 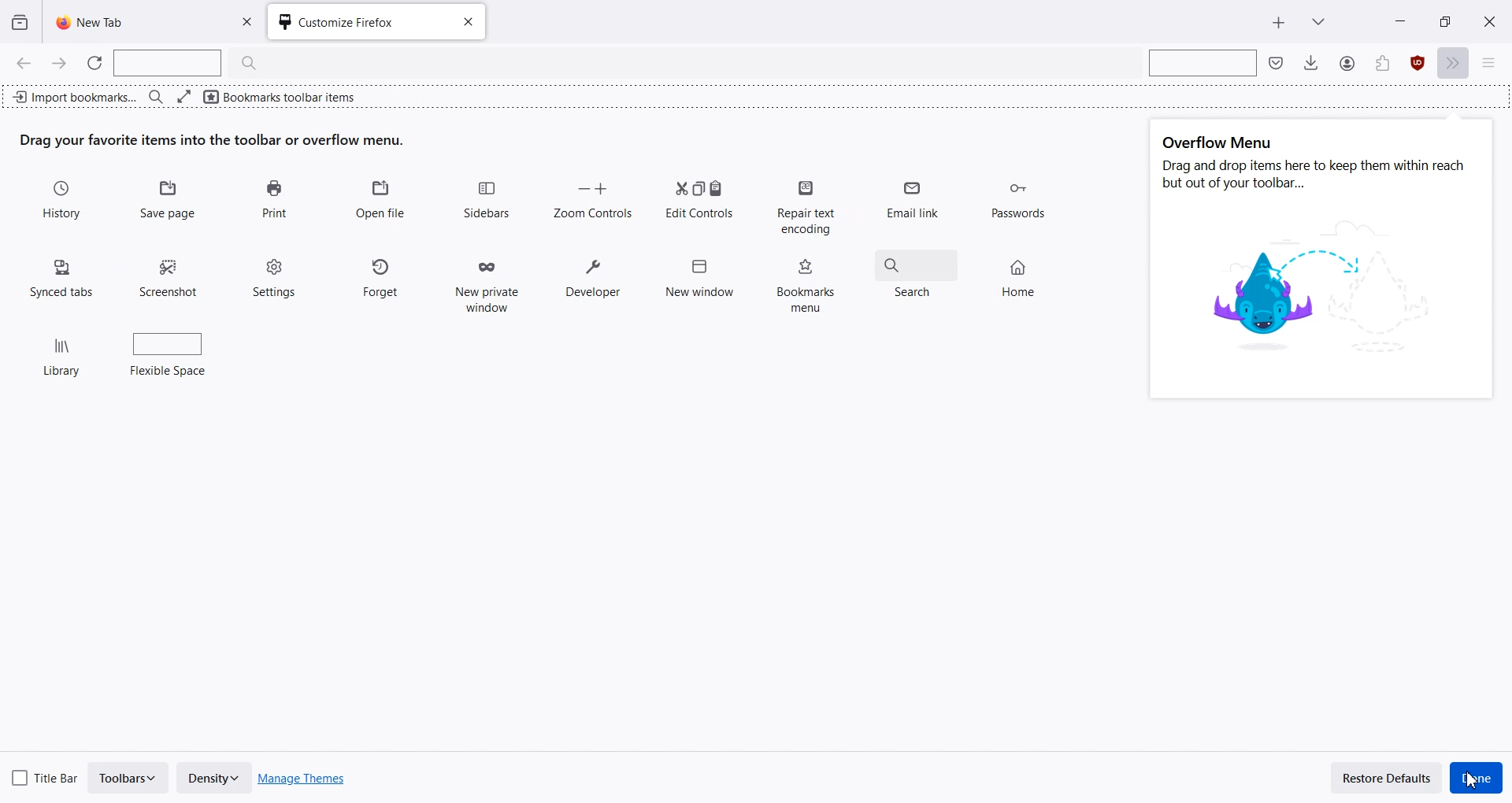 What do you see at coordinates (46, 775) in the screenshot?
I see `Title Bar` at bounding box center [46, 775].